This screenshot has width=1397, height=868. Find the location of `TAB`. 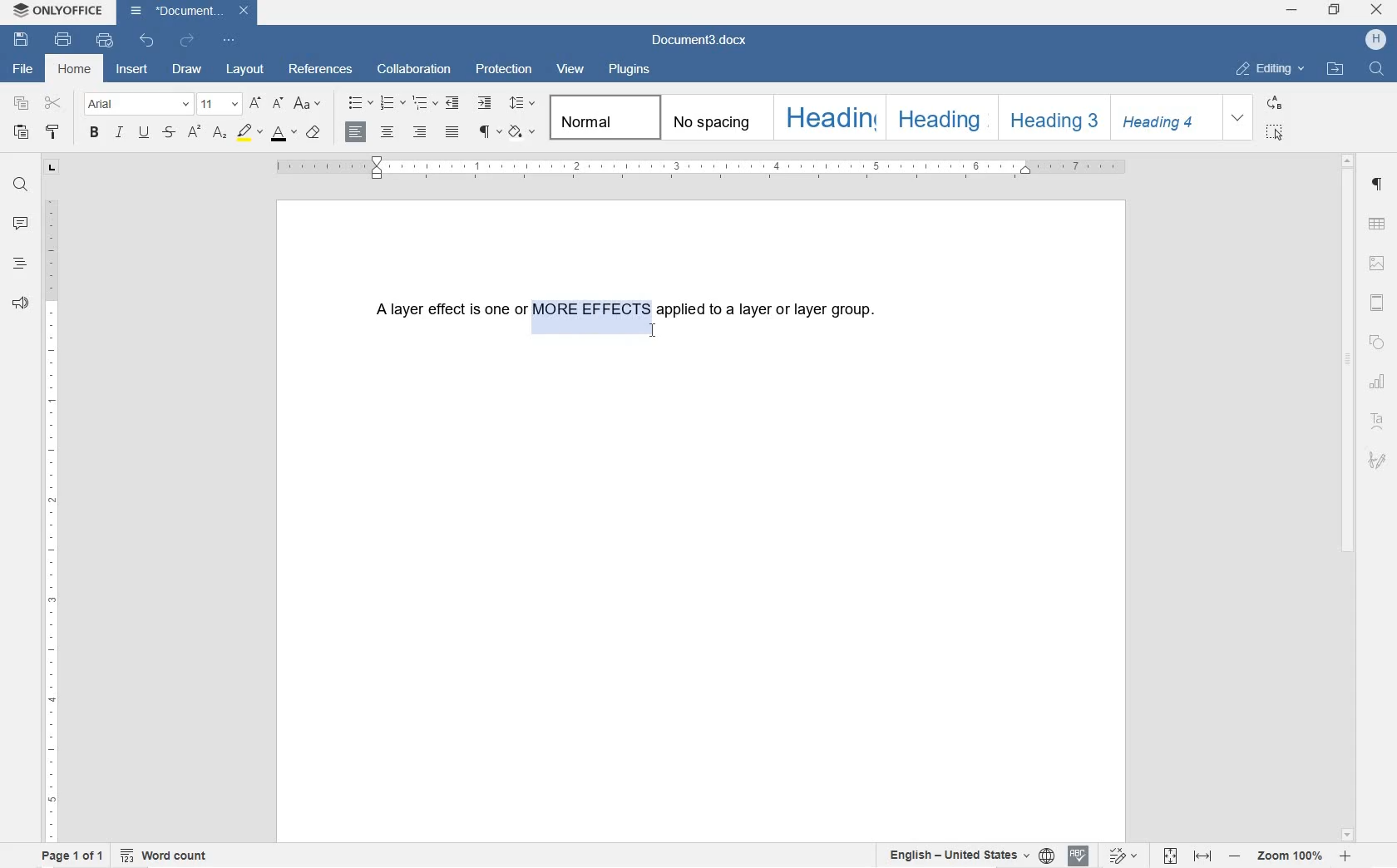

TAB is located at coordinates (51, 167).